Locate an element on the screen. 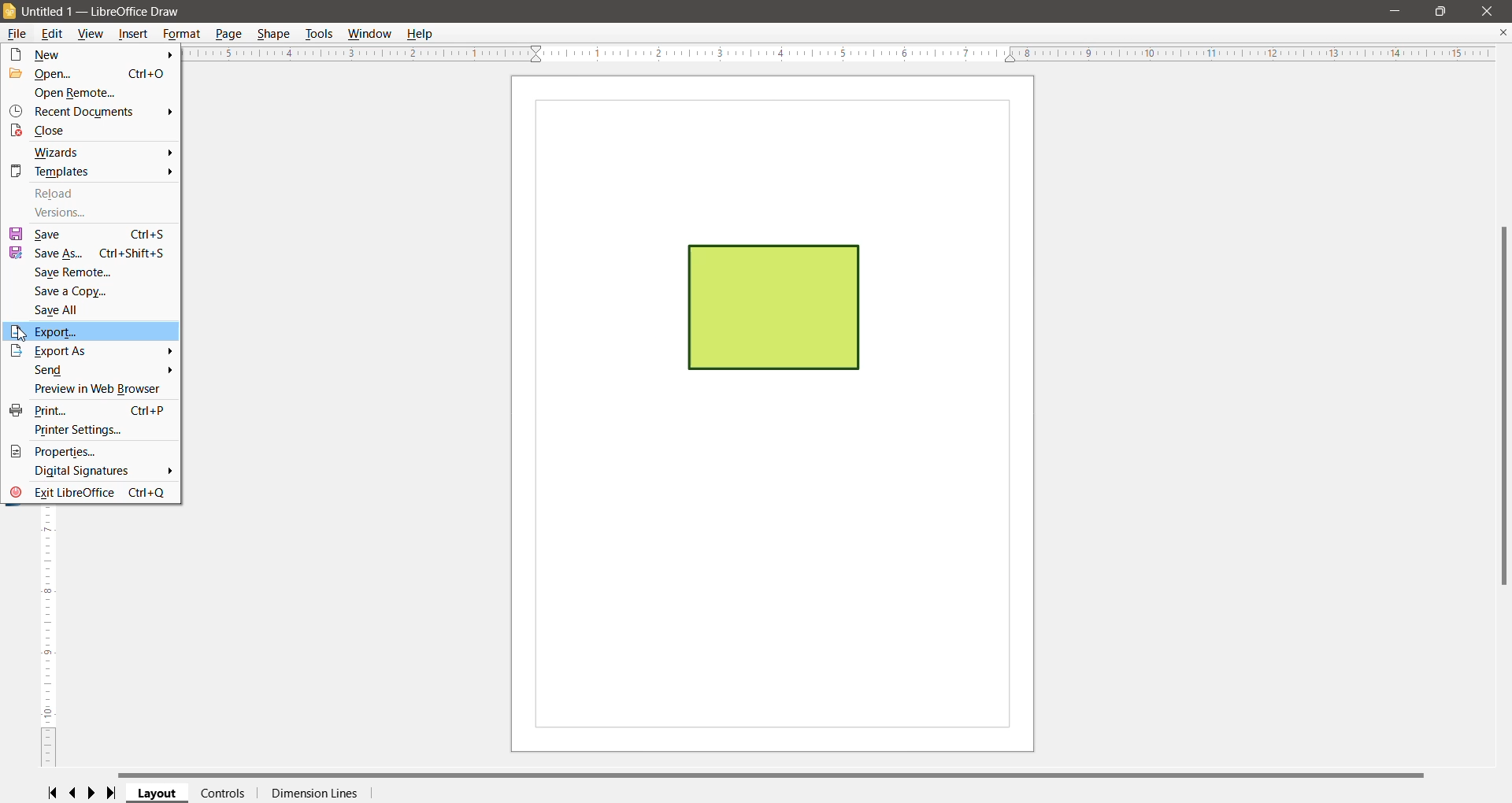 This screenshot has width=1512, height=803. Layout is located at coordinates (158, 794).